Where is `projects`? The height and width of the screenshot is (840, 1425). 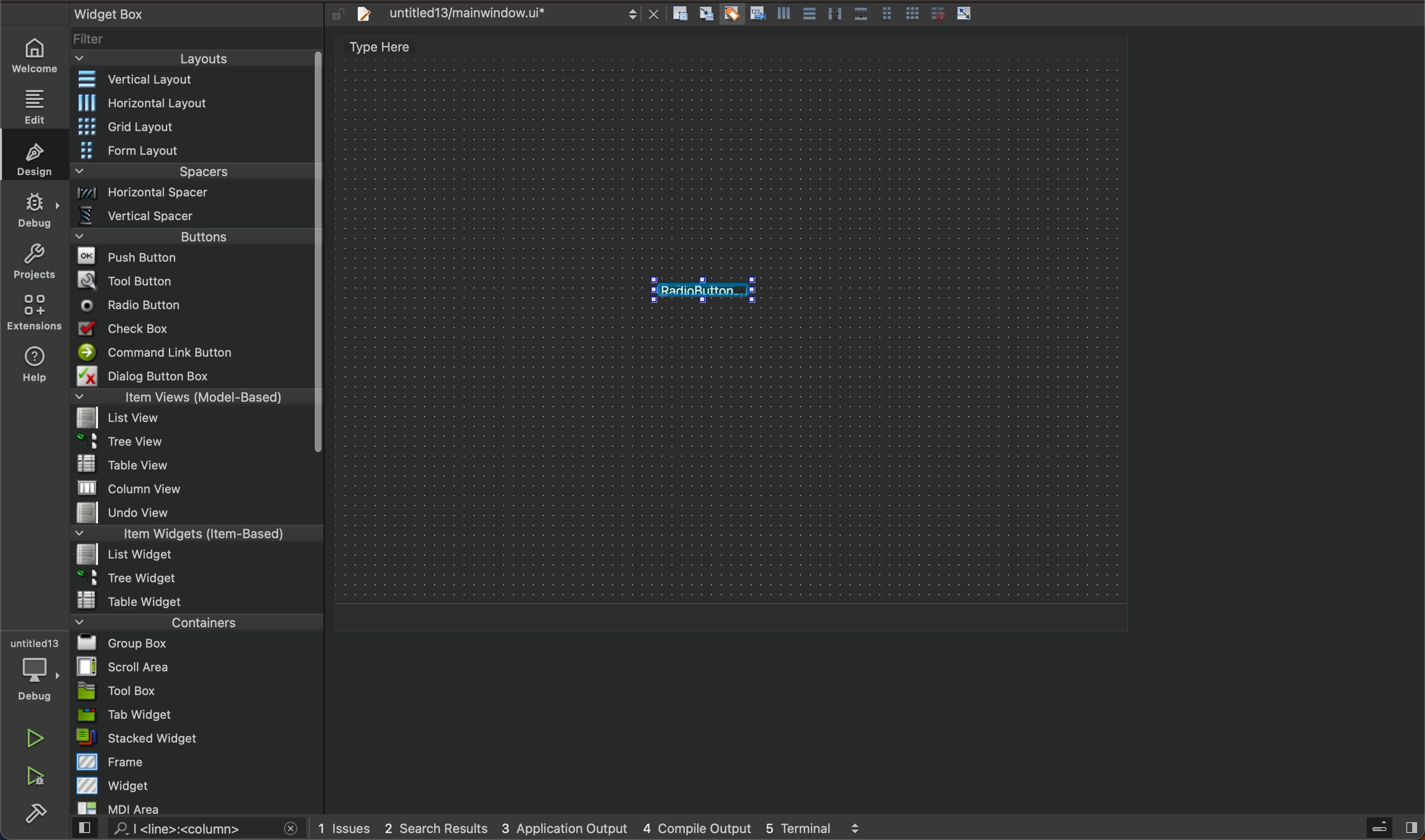 projects is located at coordinates (34, 264).